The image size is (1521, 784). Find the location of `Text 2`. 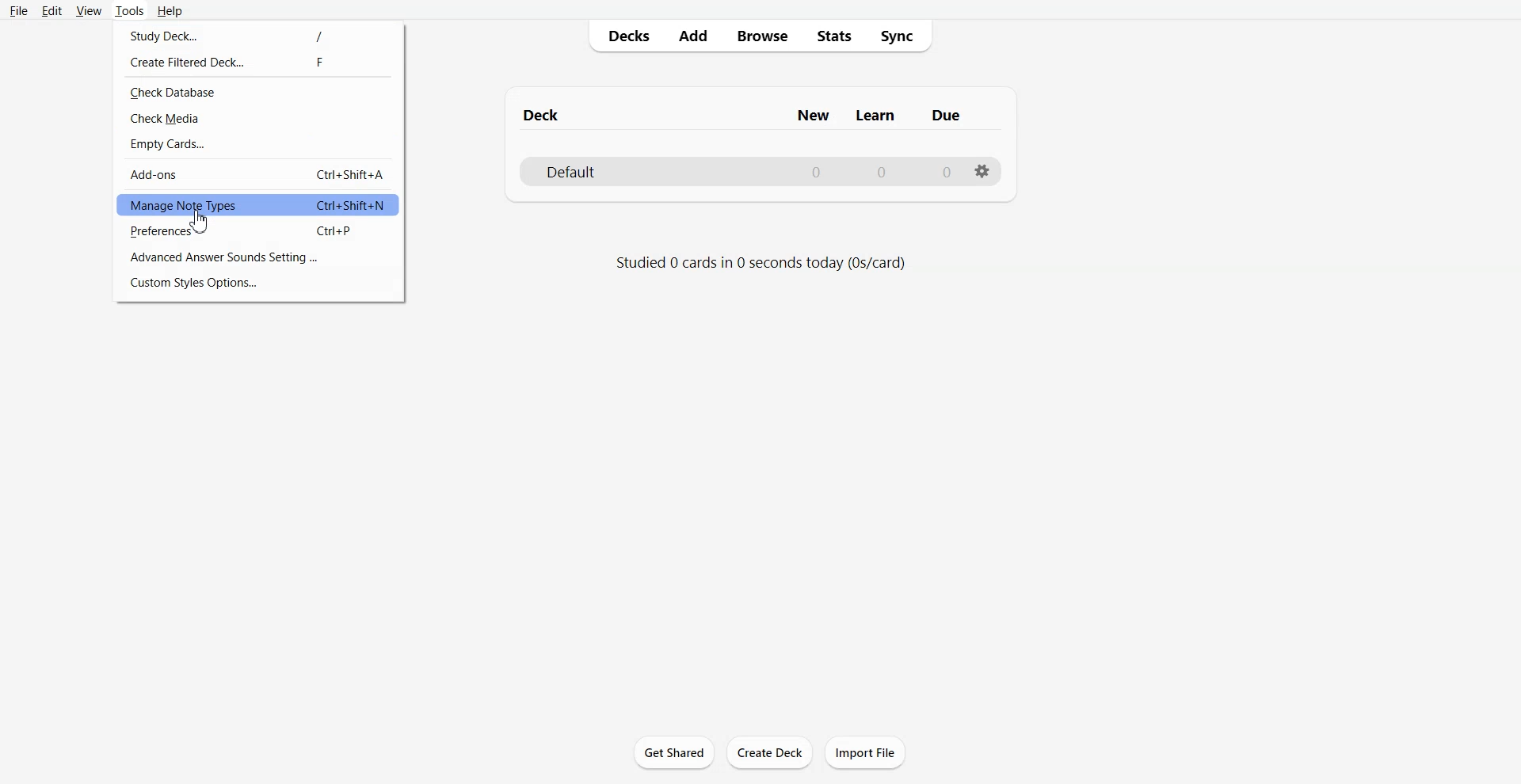

Text 2 is located at coordinates (760, 262).